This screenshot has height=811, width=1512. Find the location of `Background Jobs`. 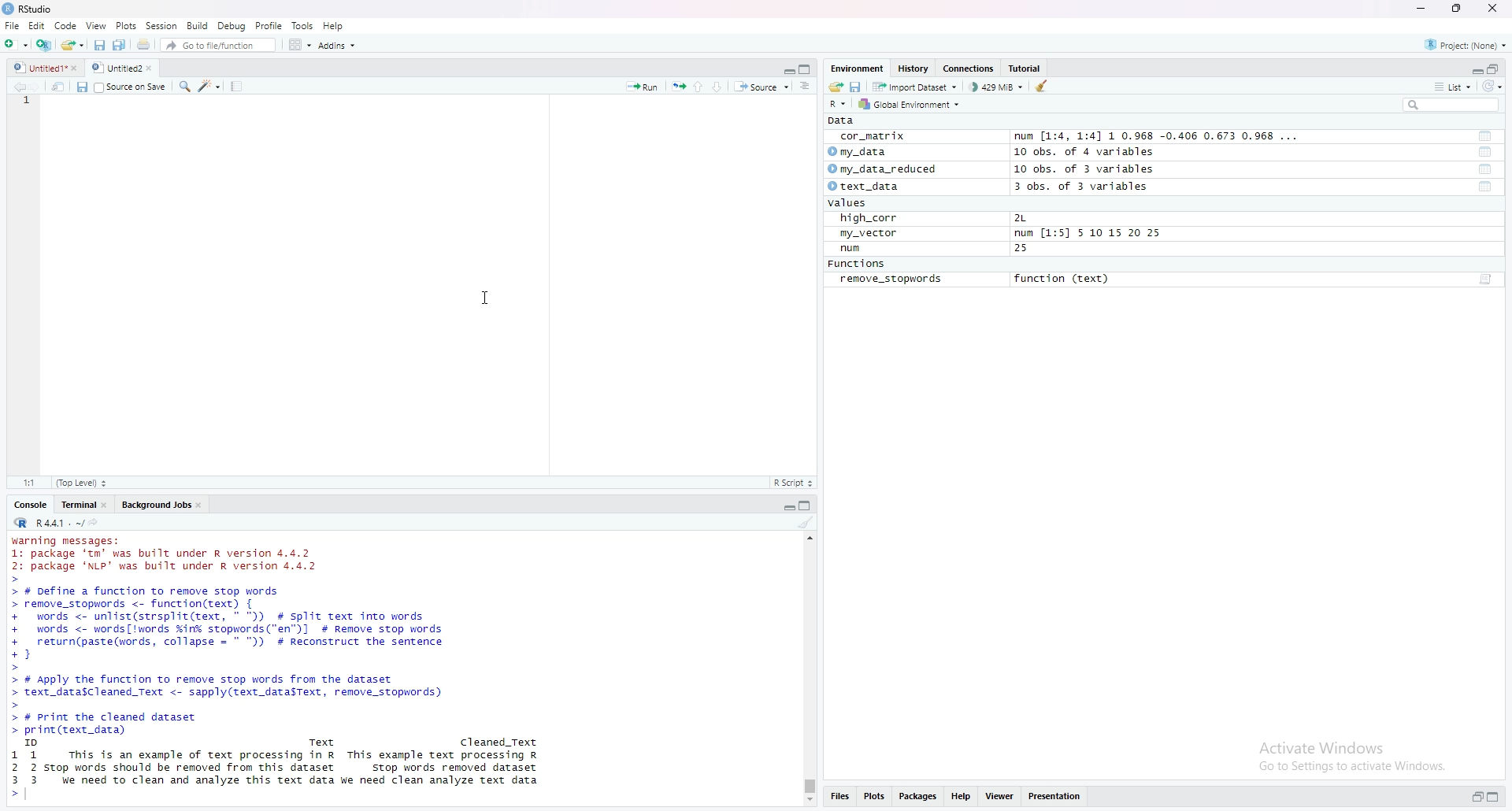

Background Jobs is located at coordinates (161, 505).